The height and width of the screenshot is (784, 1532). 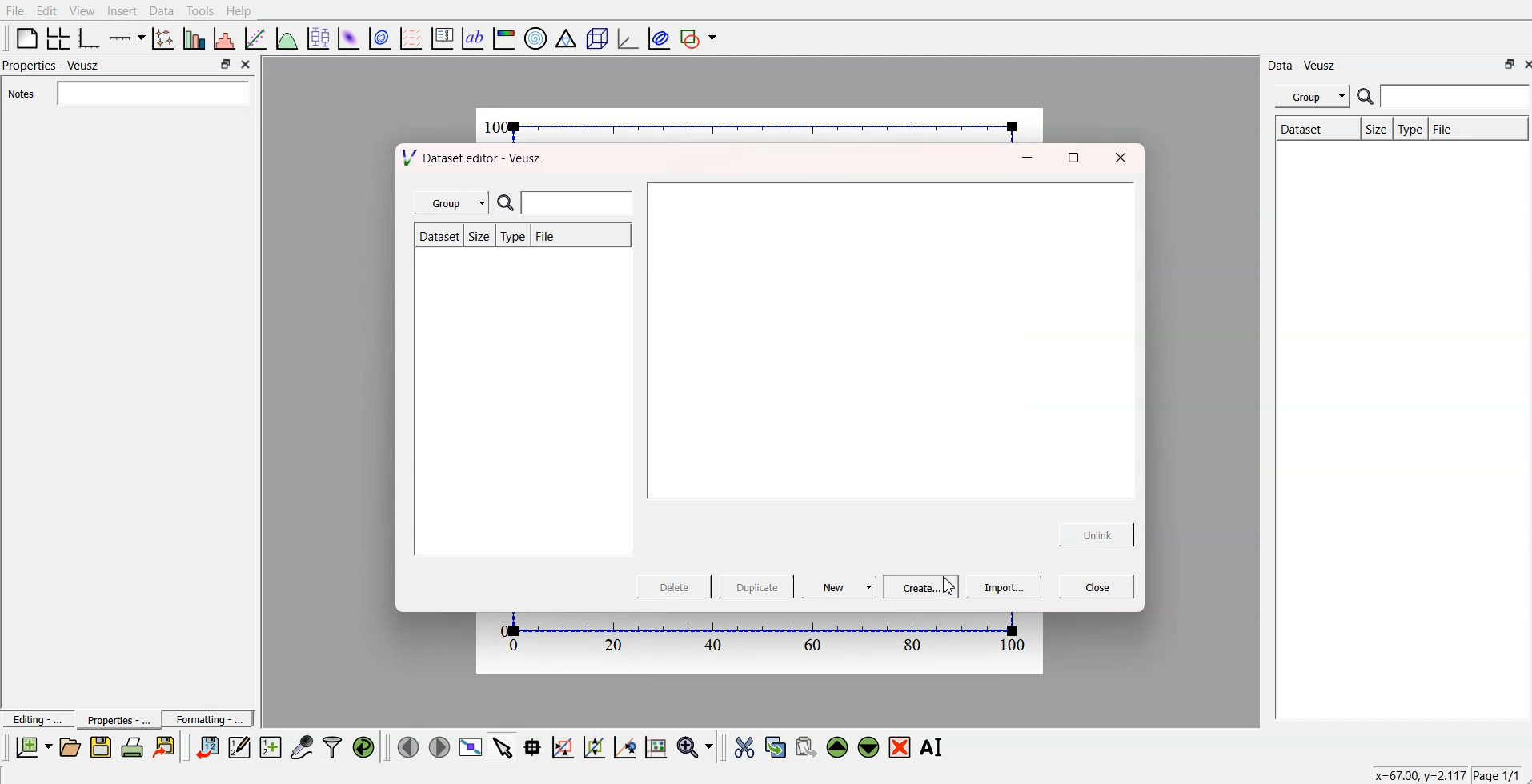 I want to click on 3D graph, so click(x=626, y=38).